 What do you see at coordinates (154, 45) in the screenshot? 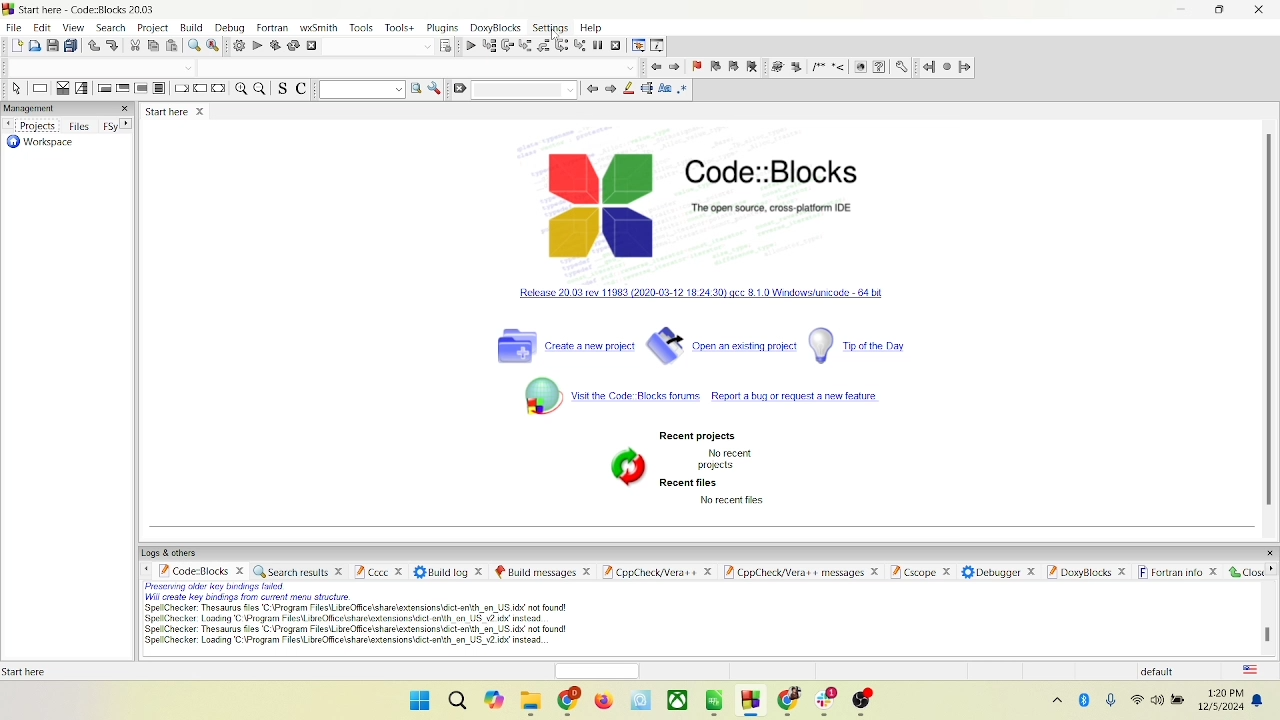
I see `copy` at bounding box center [154, 45].